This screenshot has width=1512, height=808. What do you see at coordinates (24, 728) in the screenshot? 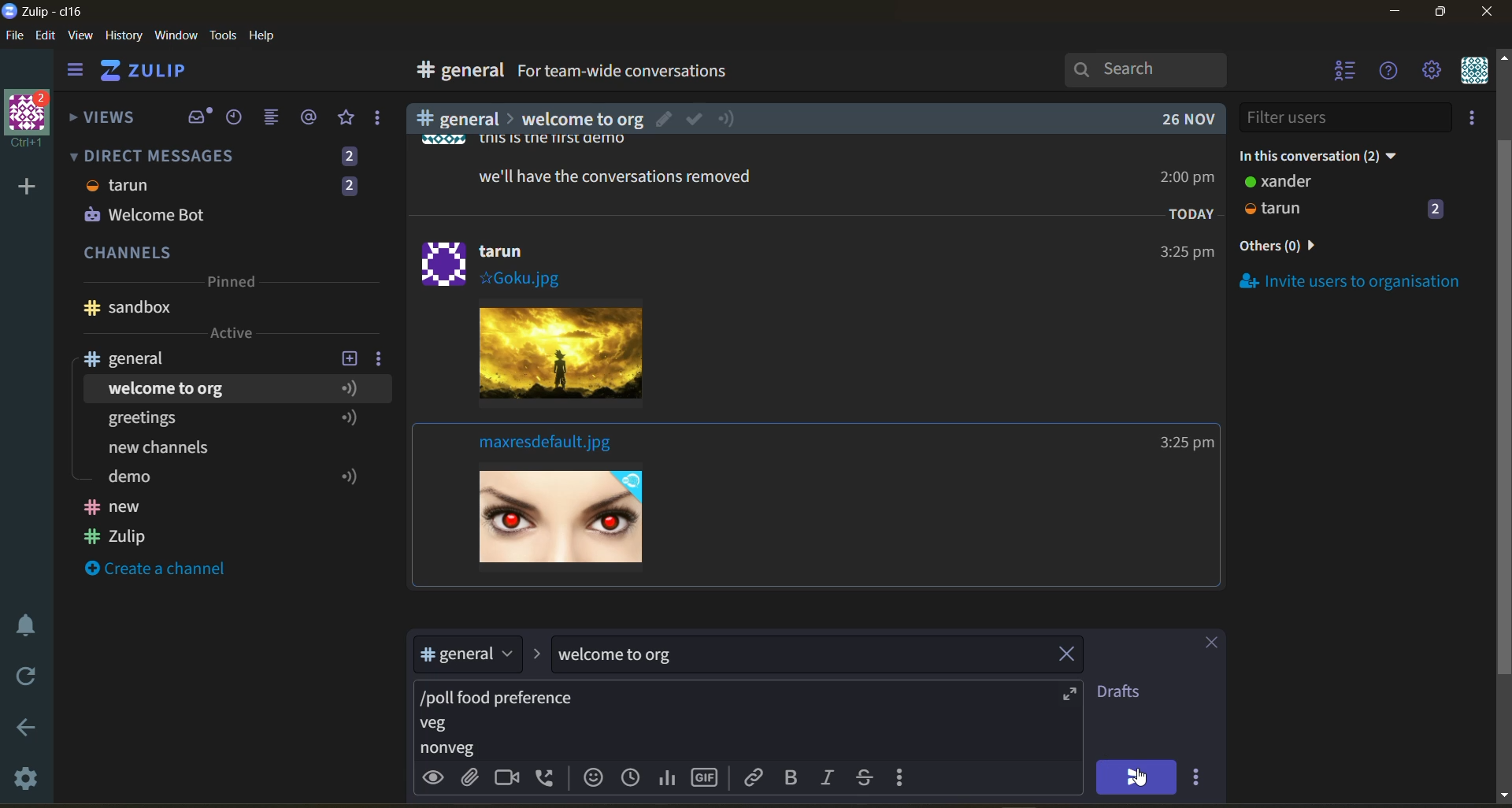
I see `go back` at bounding box center [24, 728].